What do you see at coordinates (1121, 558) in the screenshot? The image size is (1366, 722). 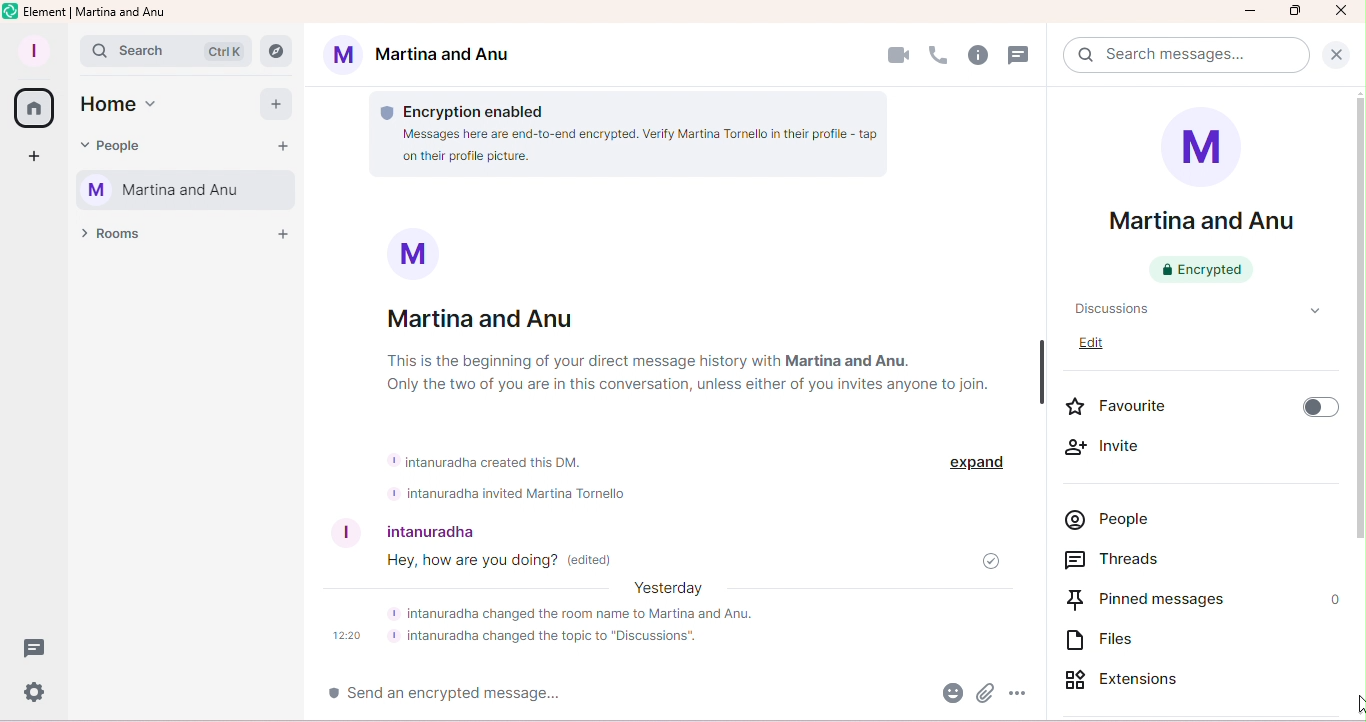 I see `Threads` at bounding box center [1121, 558].